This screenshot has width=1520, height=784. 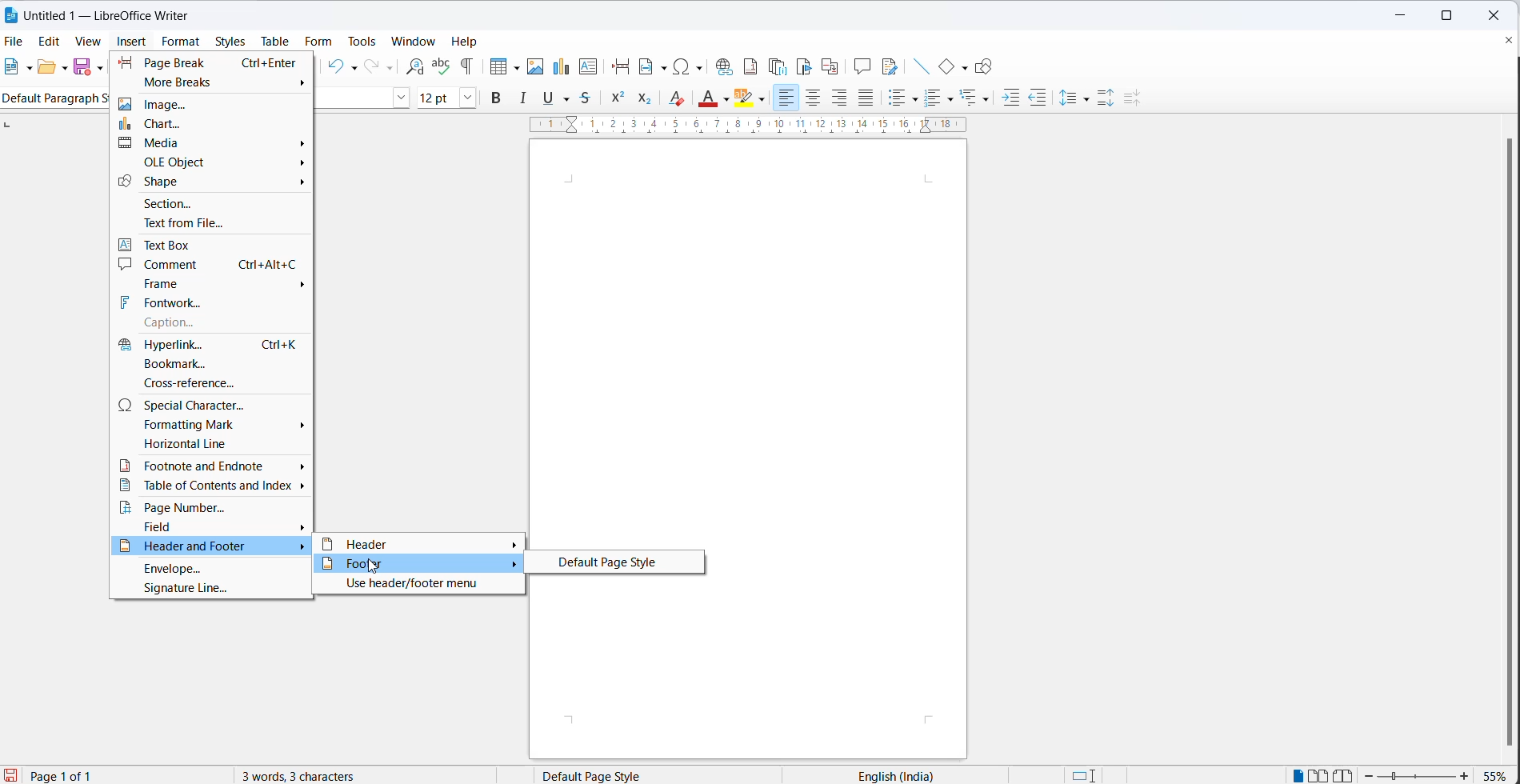 I want to click on undo options, so click(x=352, y=67).